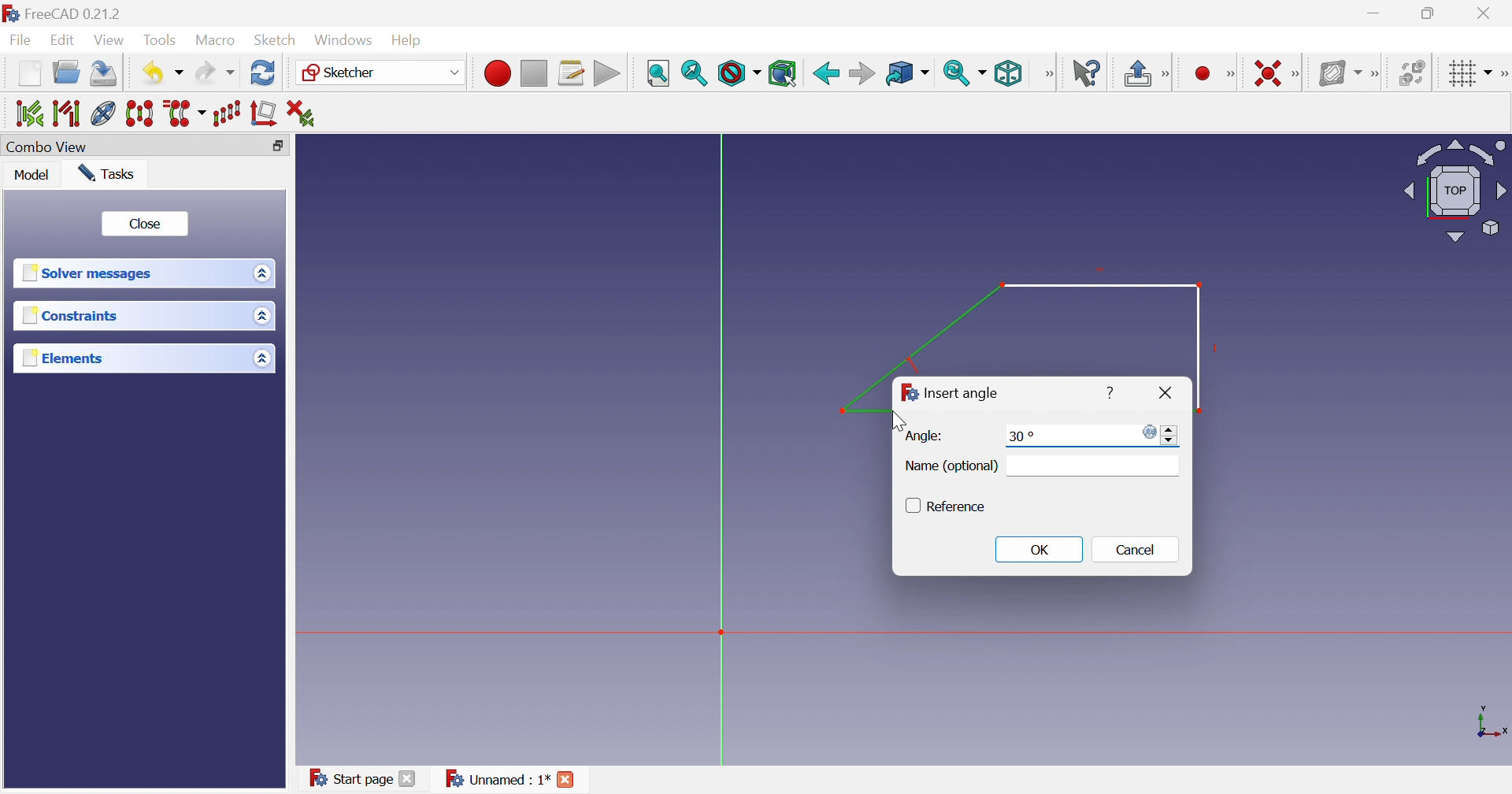  I want to click on Tasks, so click(110, 173).